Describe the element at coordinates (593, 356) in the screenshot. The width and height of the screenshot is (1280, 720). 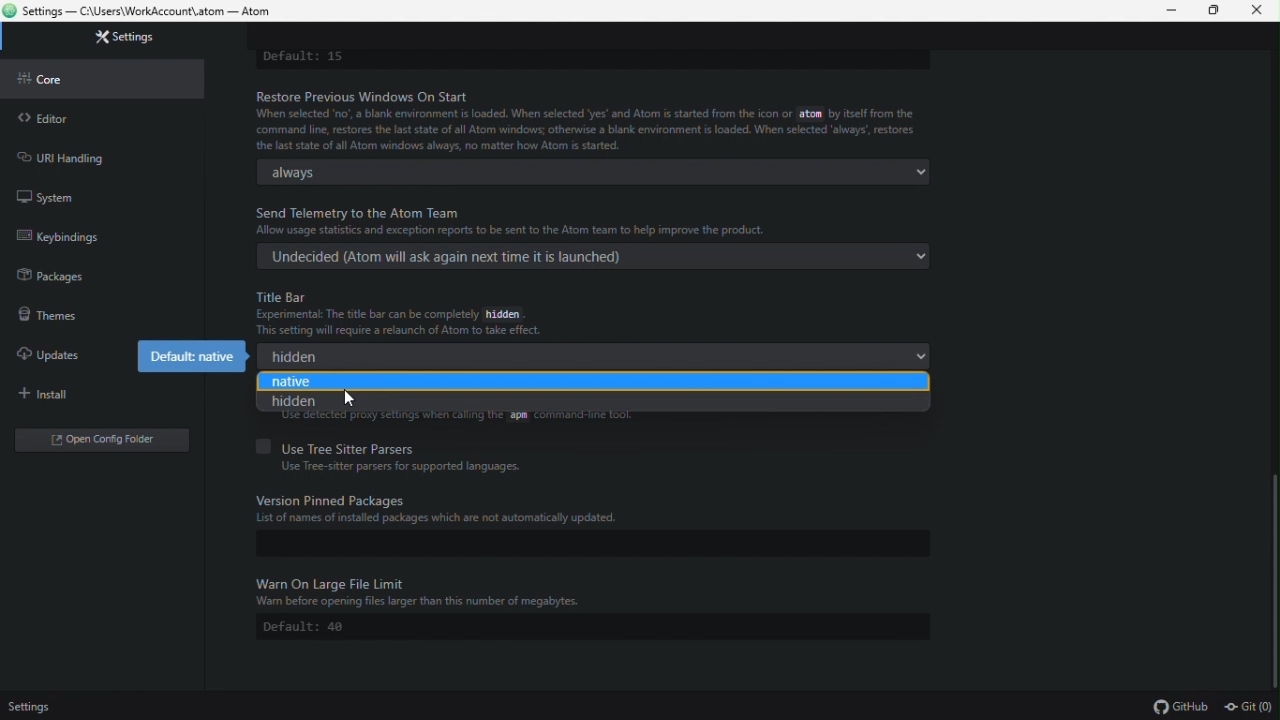
I see `hidden` at that location.